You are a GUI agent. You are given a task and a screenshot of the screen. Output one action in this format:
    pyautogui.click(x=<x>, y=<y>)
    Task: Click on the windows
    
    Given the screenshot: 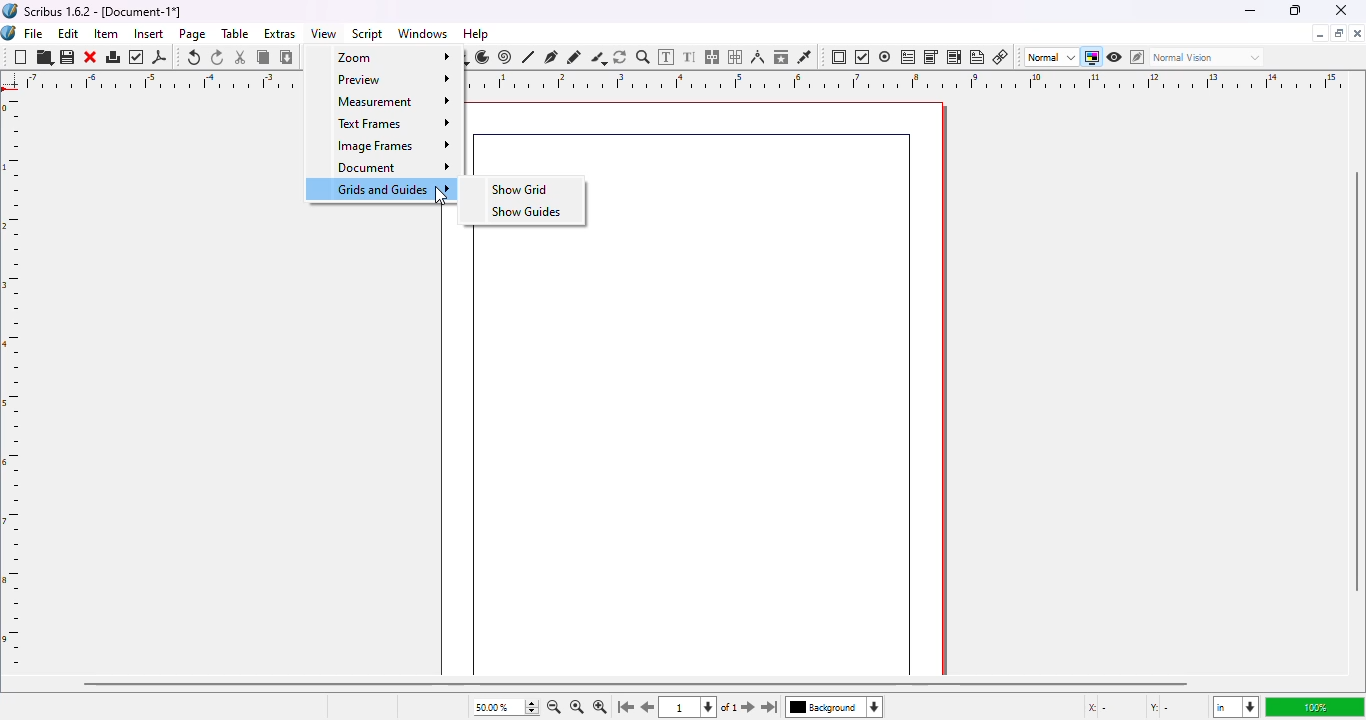 What is the action you would take?
    pyautogui.click(x=423, y=32)
    